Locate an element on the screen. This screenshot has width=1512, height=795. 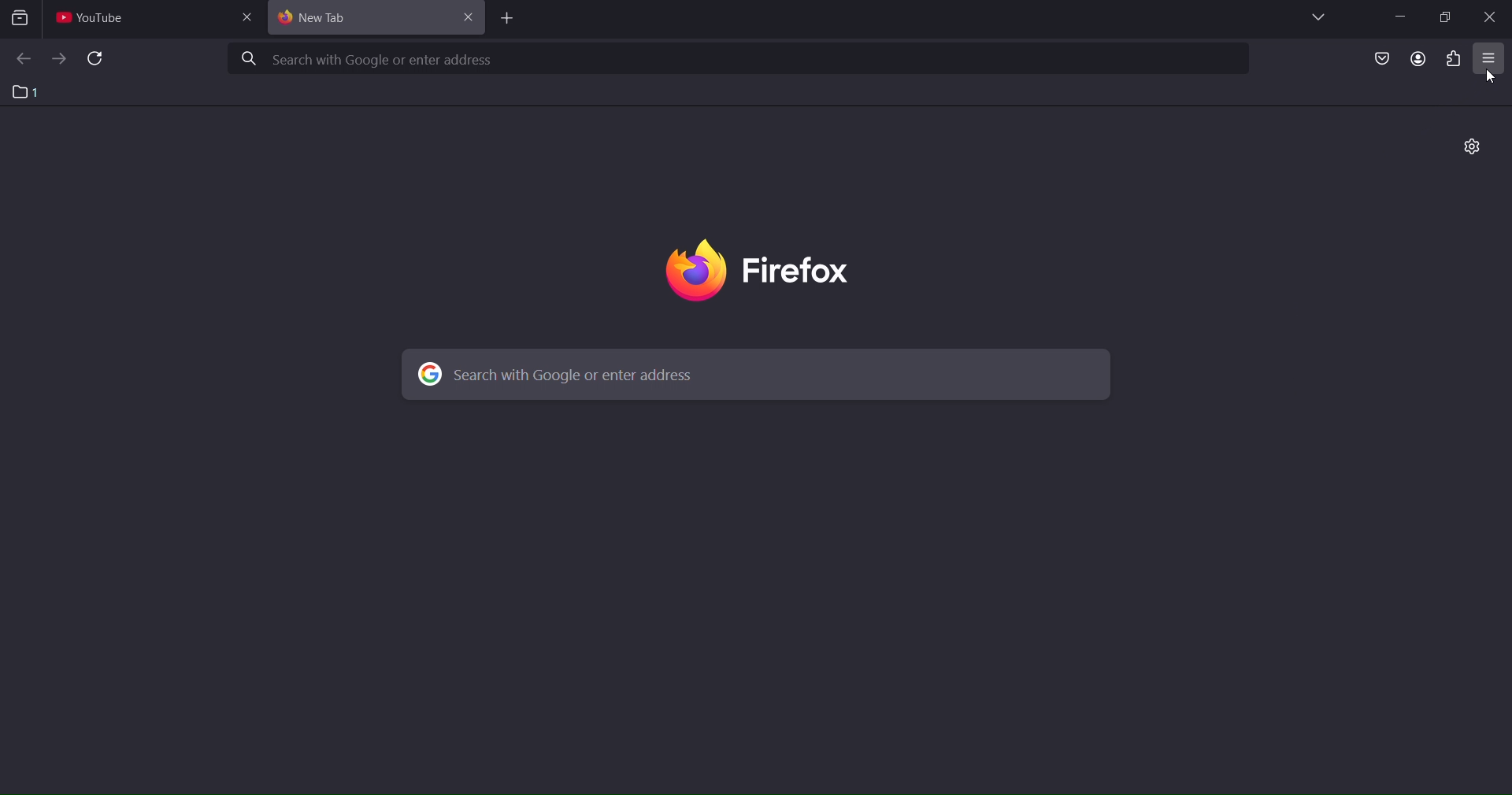
cursor is located at coordinates (1492, 77).